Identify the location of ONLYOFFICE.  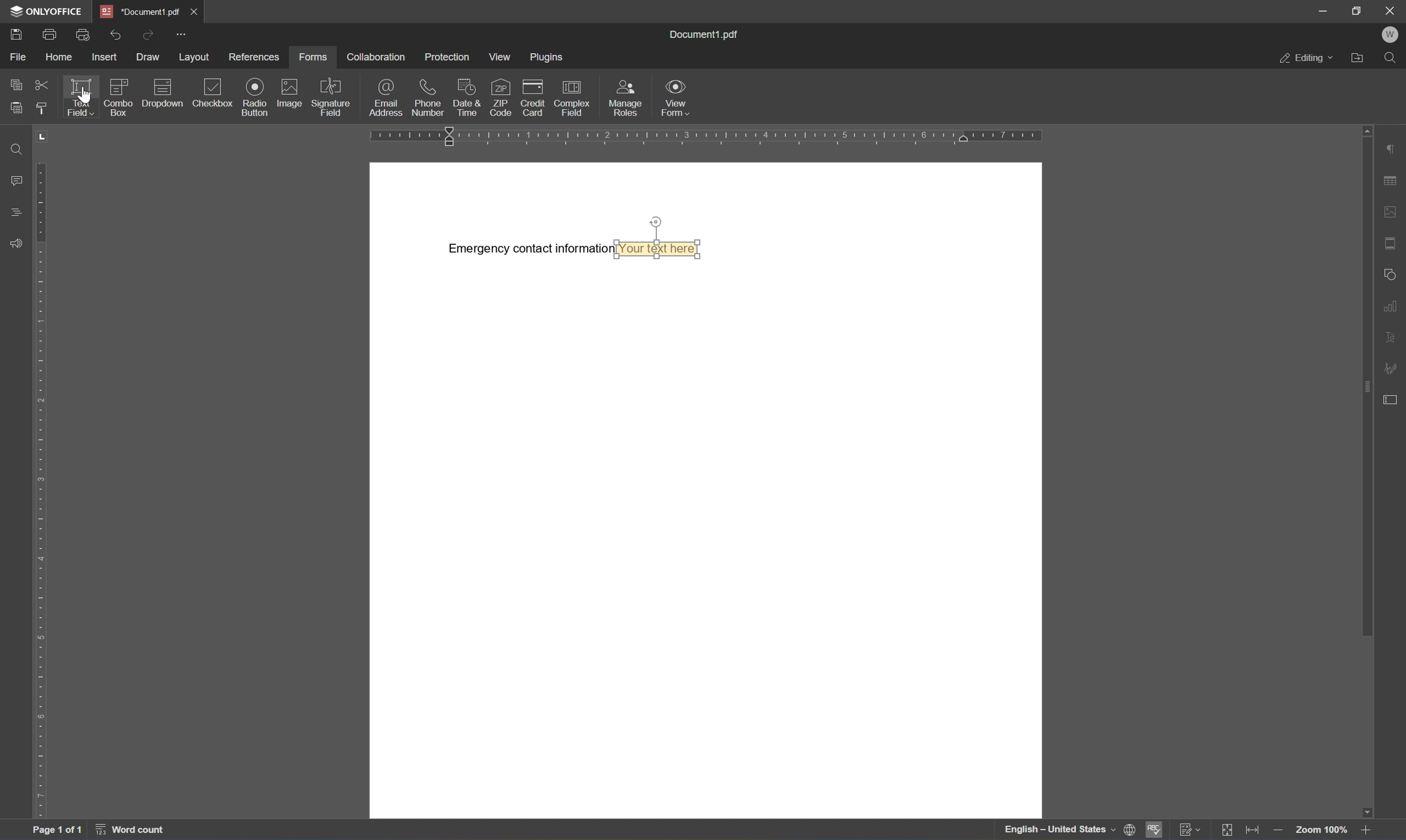
(44, 11).